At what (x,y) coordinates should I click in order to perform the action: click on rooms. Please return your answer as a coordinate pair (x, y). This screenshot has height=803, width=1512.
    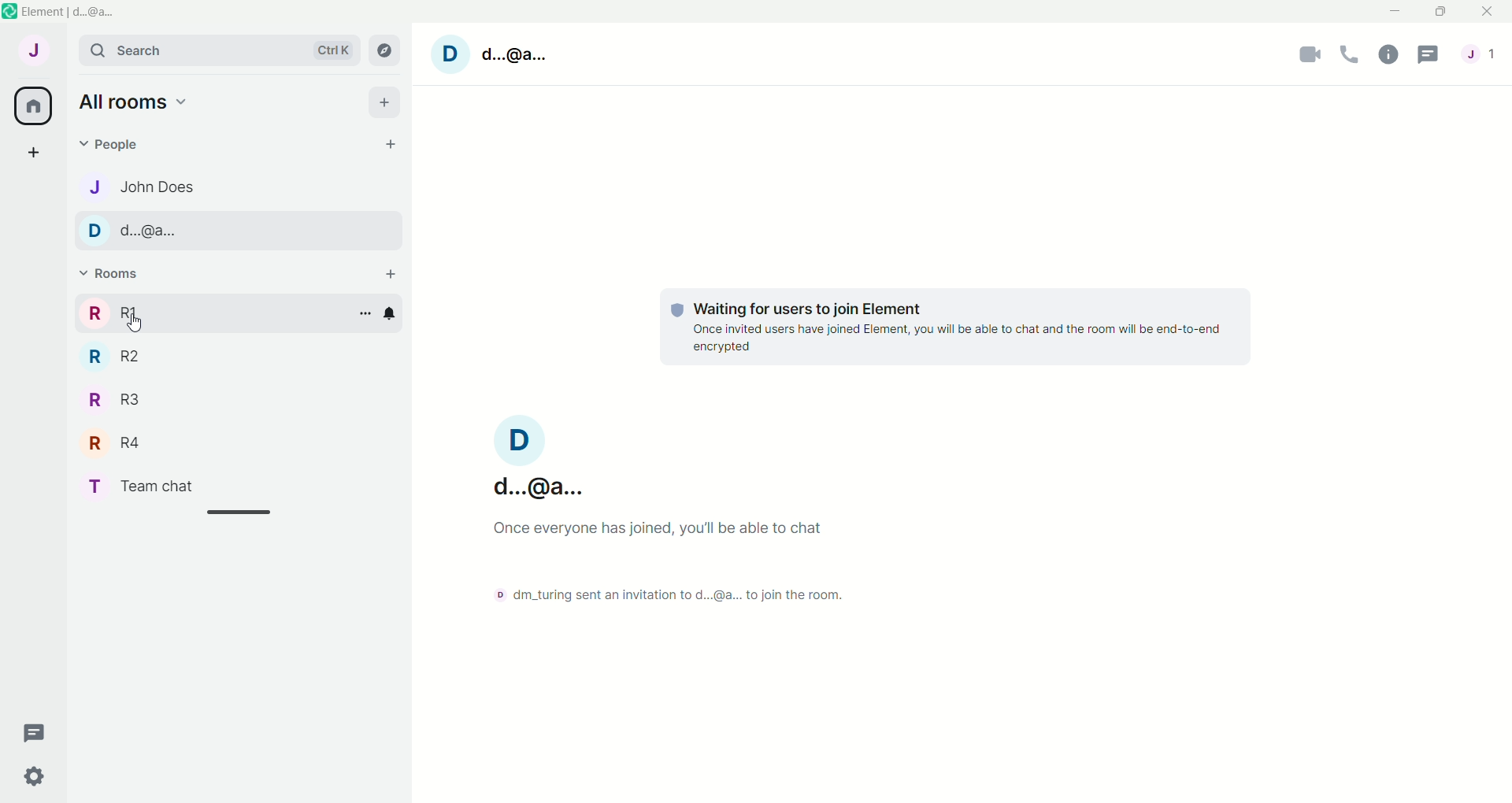
    Looking at the image, I should click on (117, 274).